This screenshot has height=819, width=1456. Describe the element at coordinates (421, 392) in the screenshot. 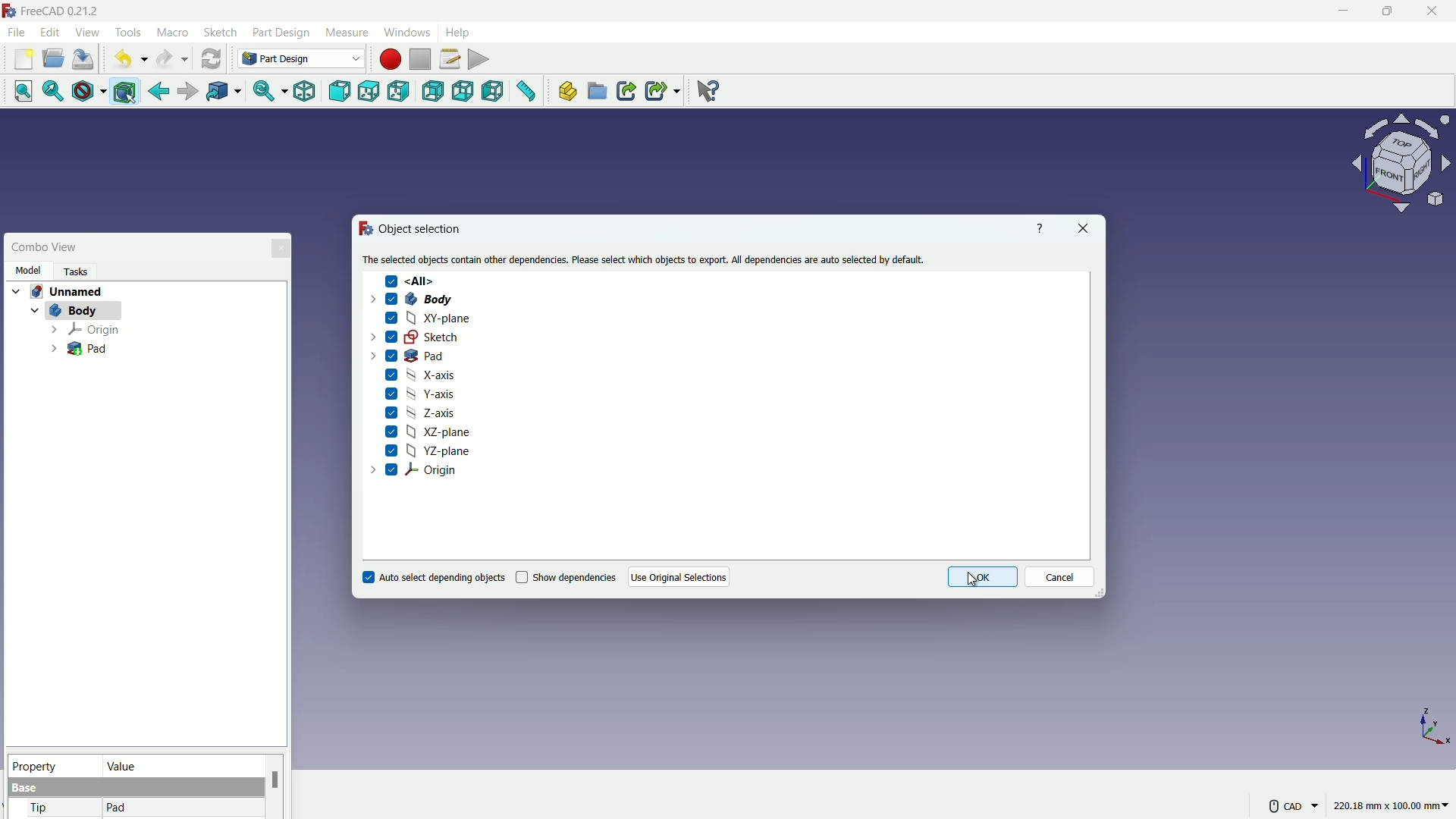

I see `Y-axis` at that location.